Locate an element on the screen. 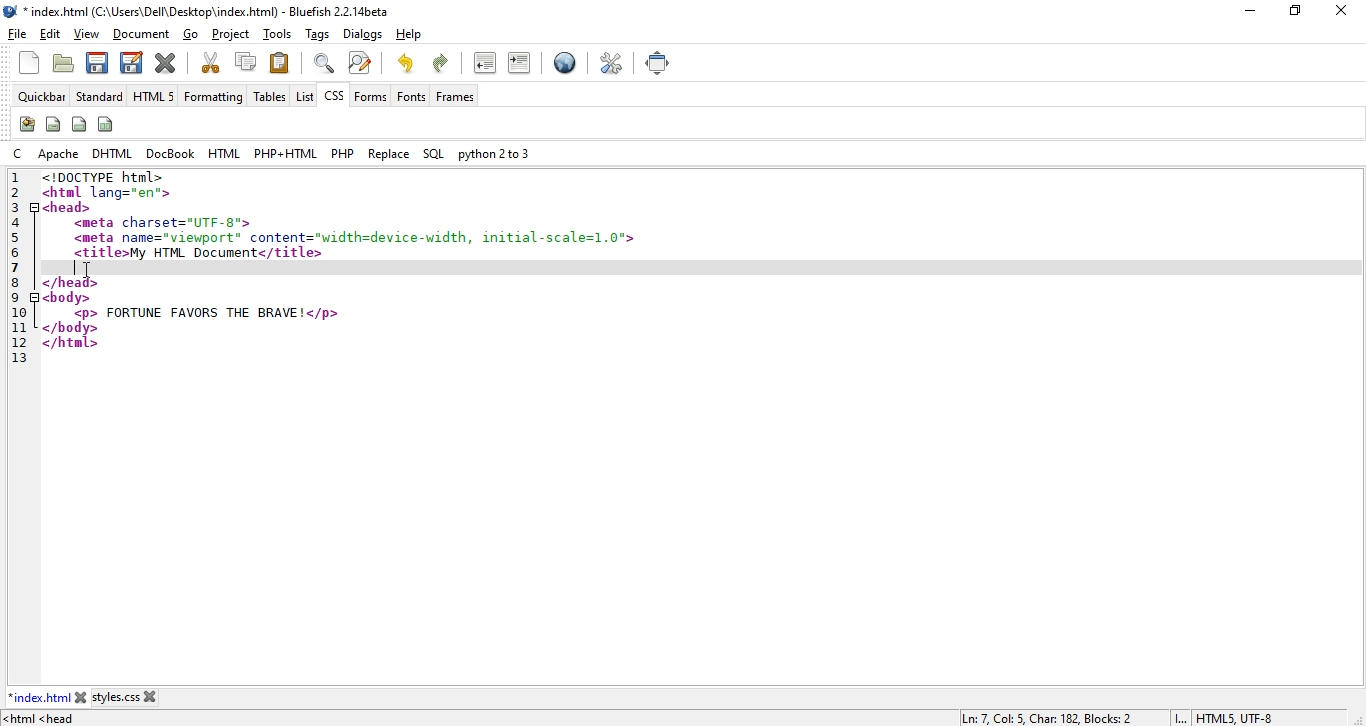 This screenshot has height=726, width=1366. tools is located at coordinates (280, 35).